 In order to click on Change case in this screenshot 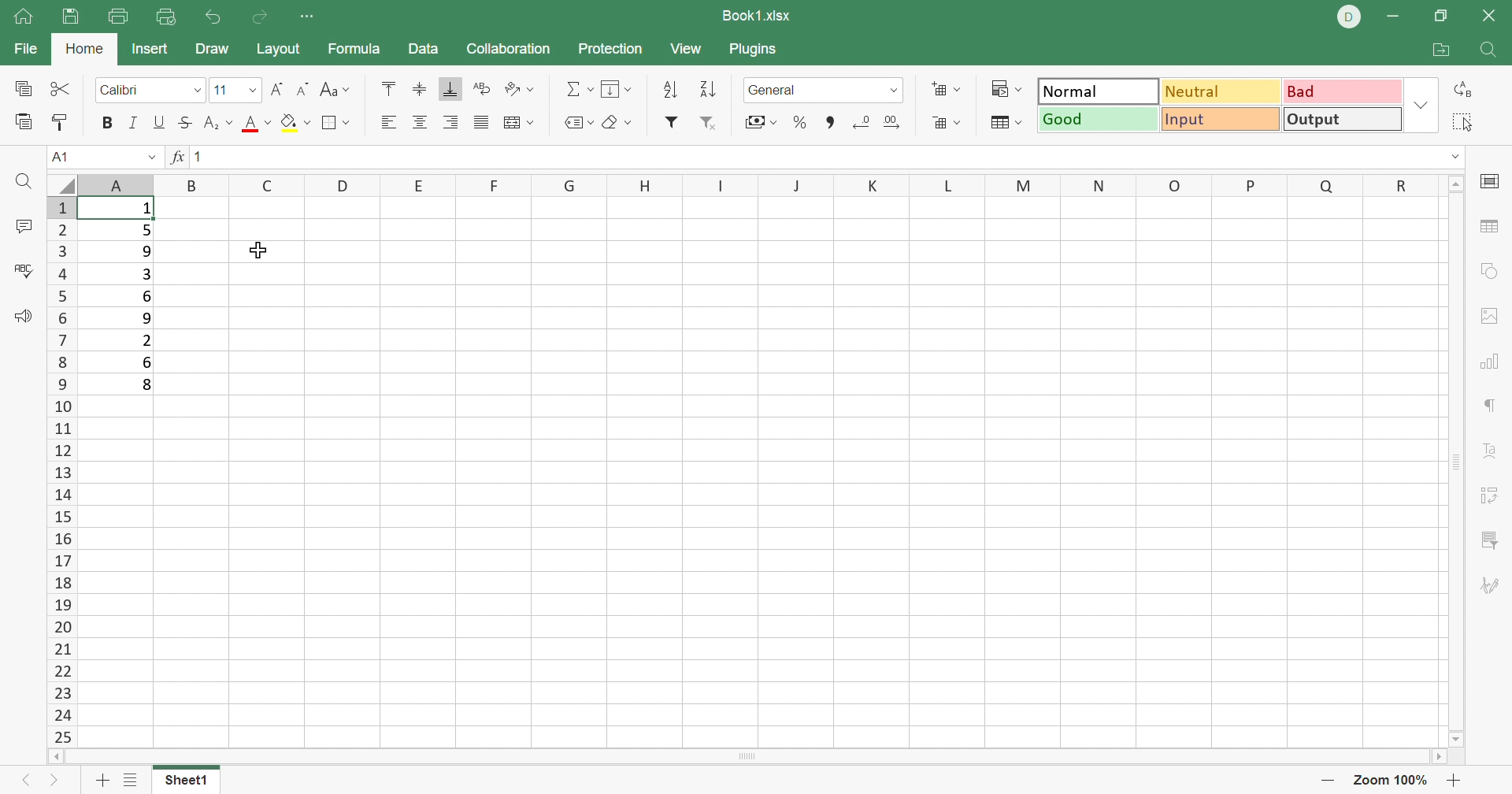, I will do `click(336, 92)`.